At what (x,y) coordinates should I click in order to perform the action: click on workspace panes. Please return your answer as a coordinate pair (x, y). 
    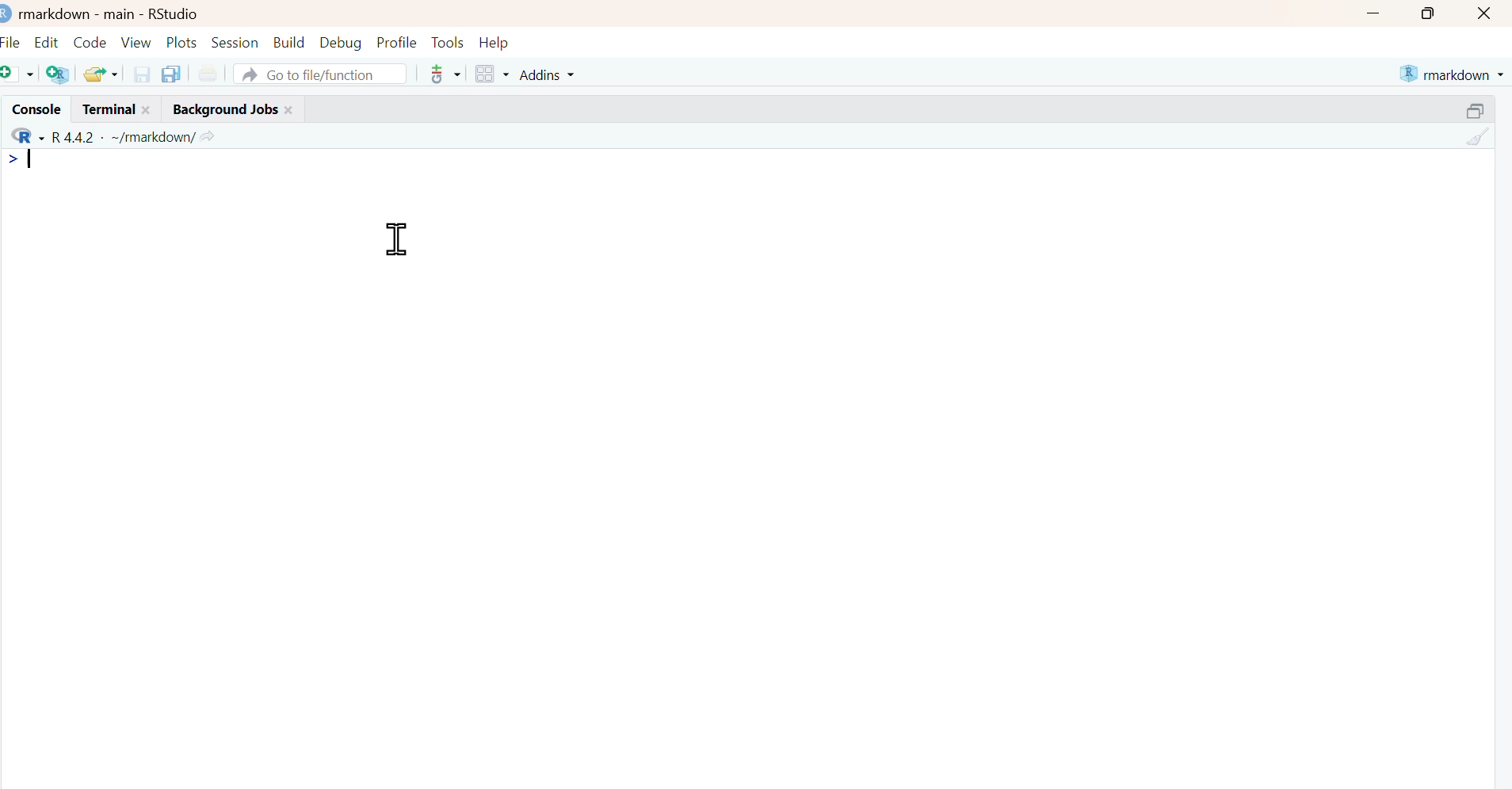
    Looking at the image, I should click on (492, 74).